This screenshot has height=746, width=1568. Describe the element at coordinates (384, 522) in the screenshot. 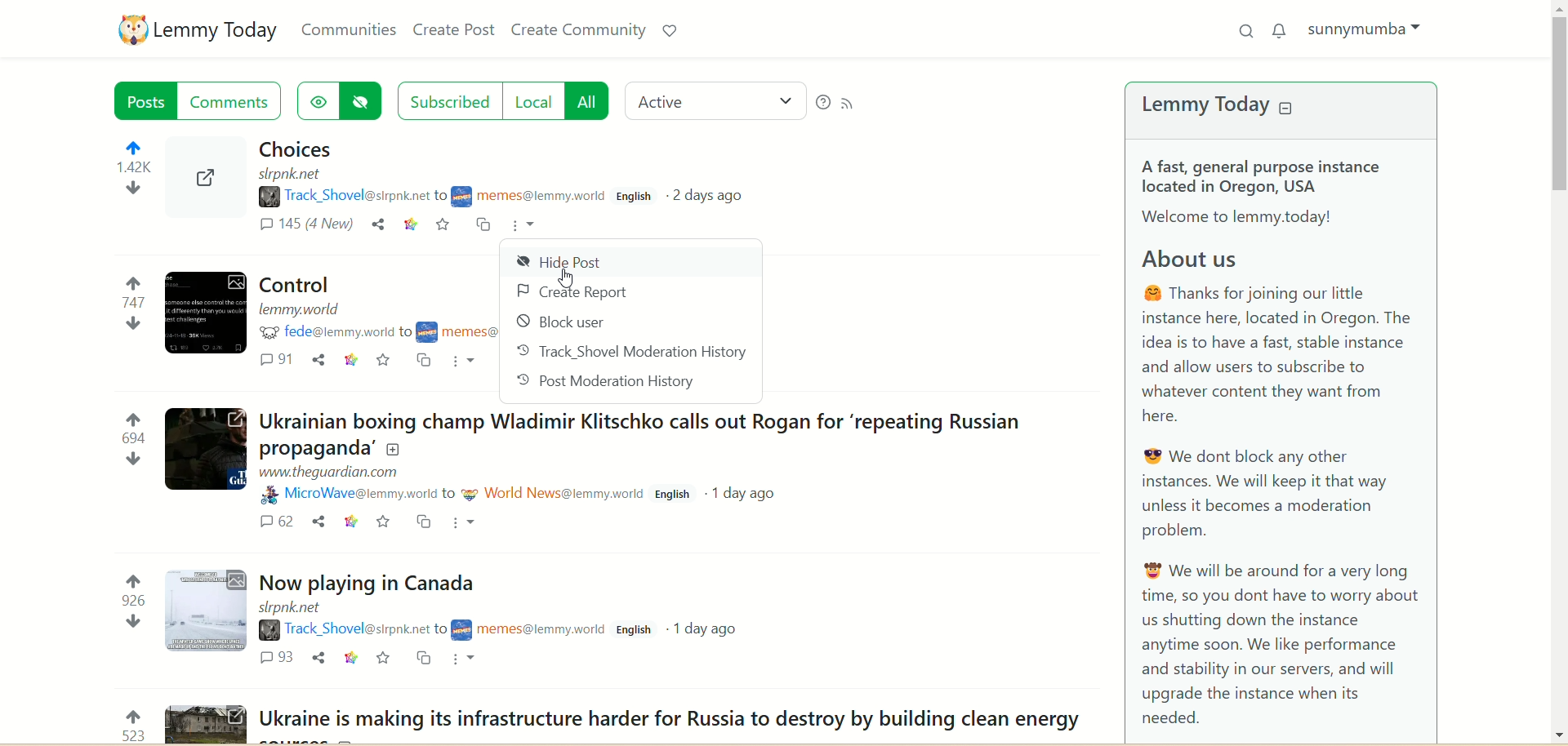

I see `favorite` at that location.